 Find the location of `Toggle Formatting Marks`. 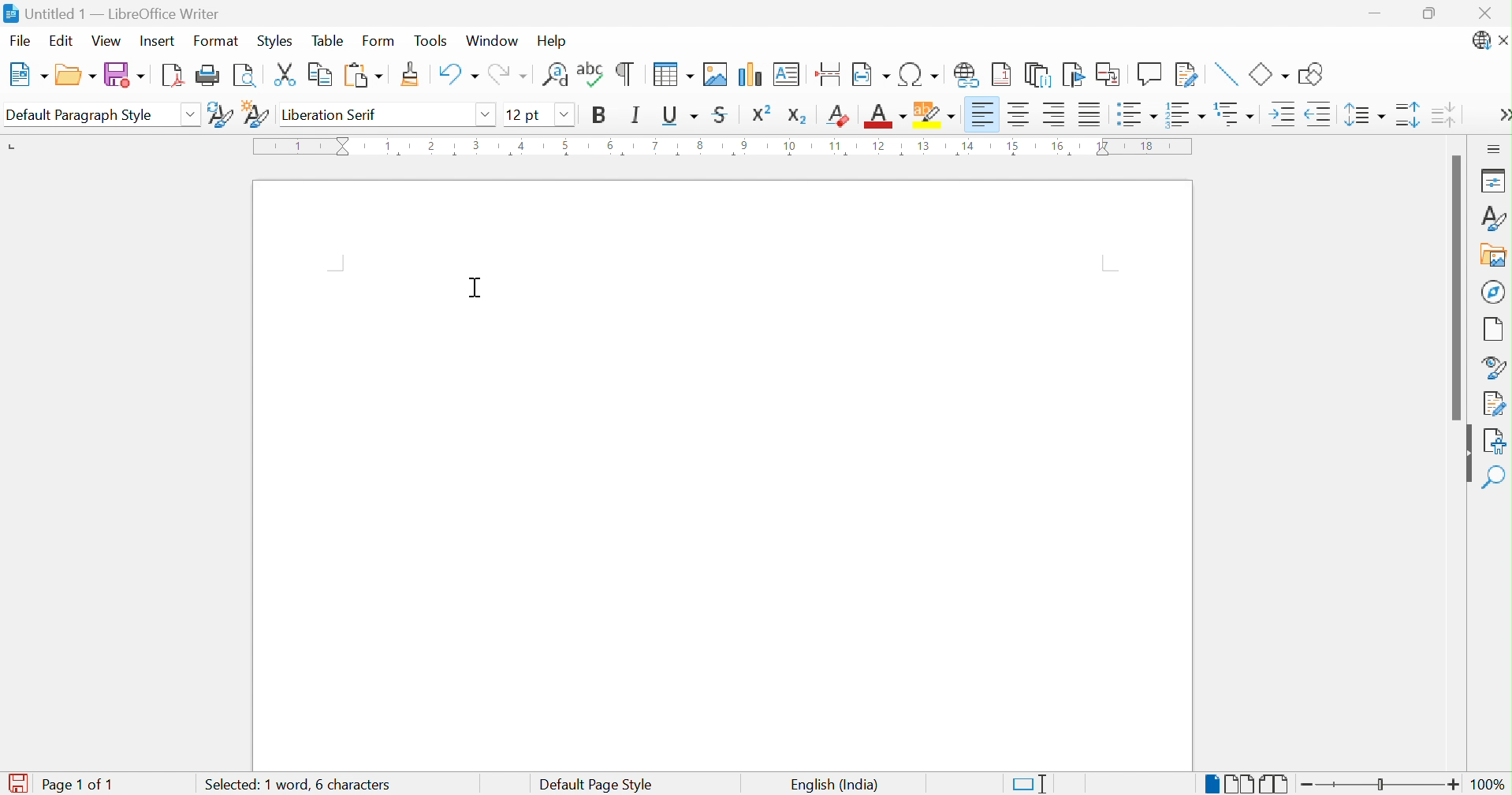

Toggle Formatting Marks is located at coordinates (625, 73).